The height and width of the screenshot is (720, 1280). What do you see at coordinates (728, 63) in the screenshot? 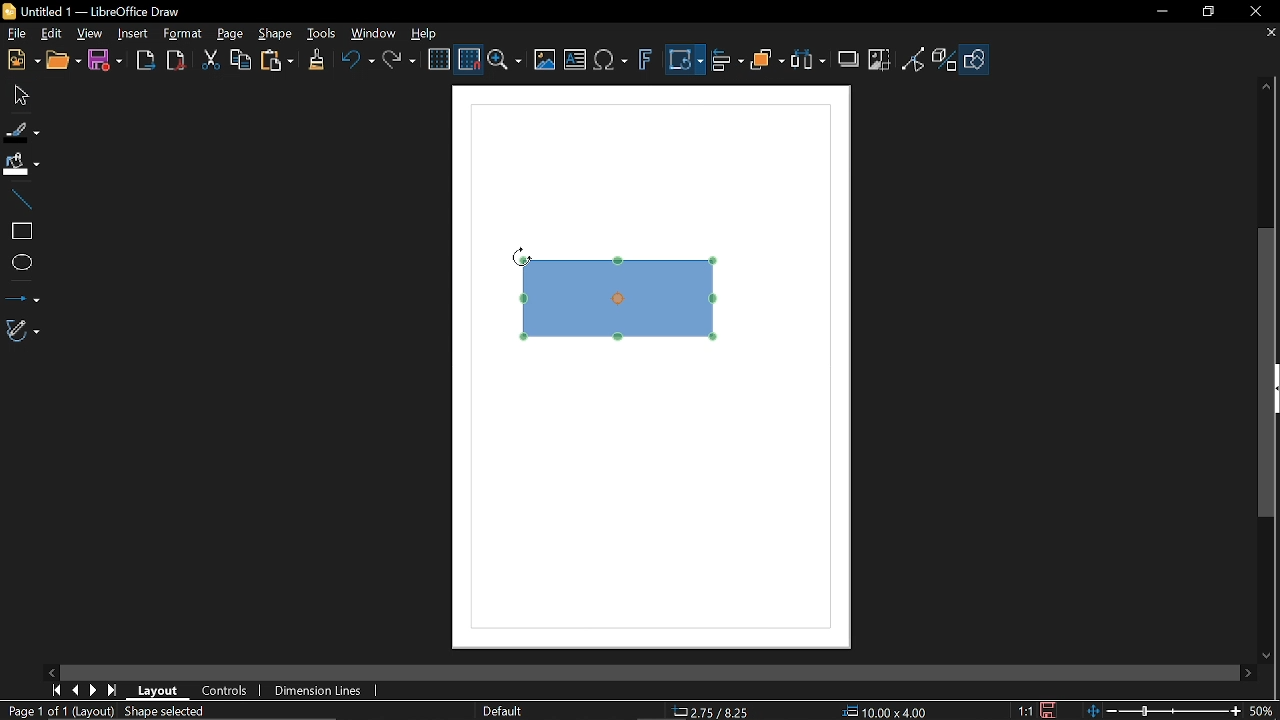
I see `Align` at bounding box center [728, 63].